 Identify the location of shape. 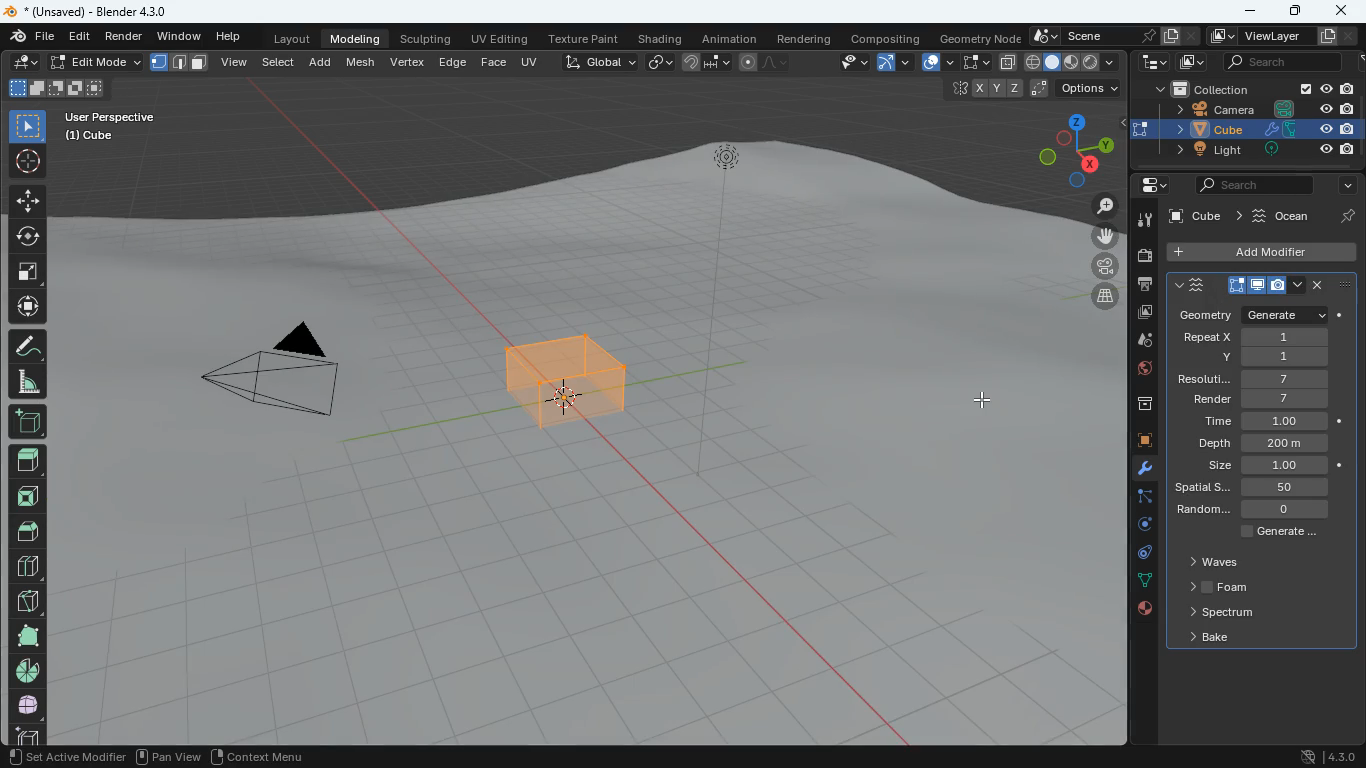
(180, 62).